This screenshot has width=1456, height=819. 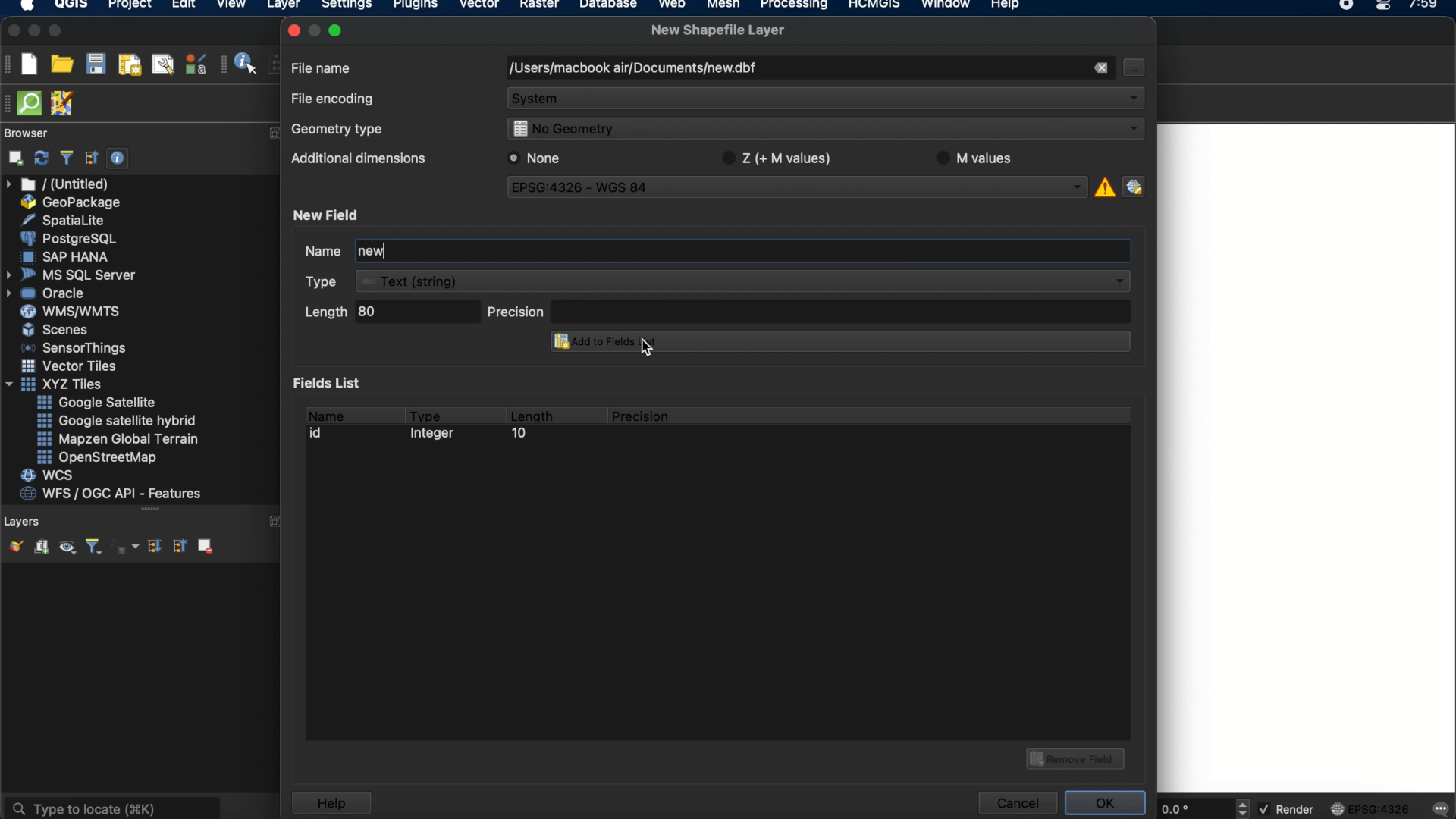 What do you see at coordinates (1244, 808) in the screenshot?
I see `toggle buttons` at bounding box center [1244, 808].